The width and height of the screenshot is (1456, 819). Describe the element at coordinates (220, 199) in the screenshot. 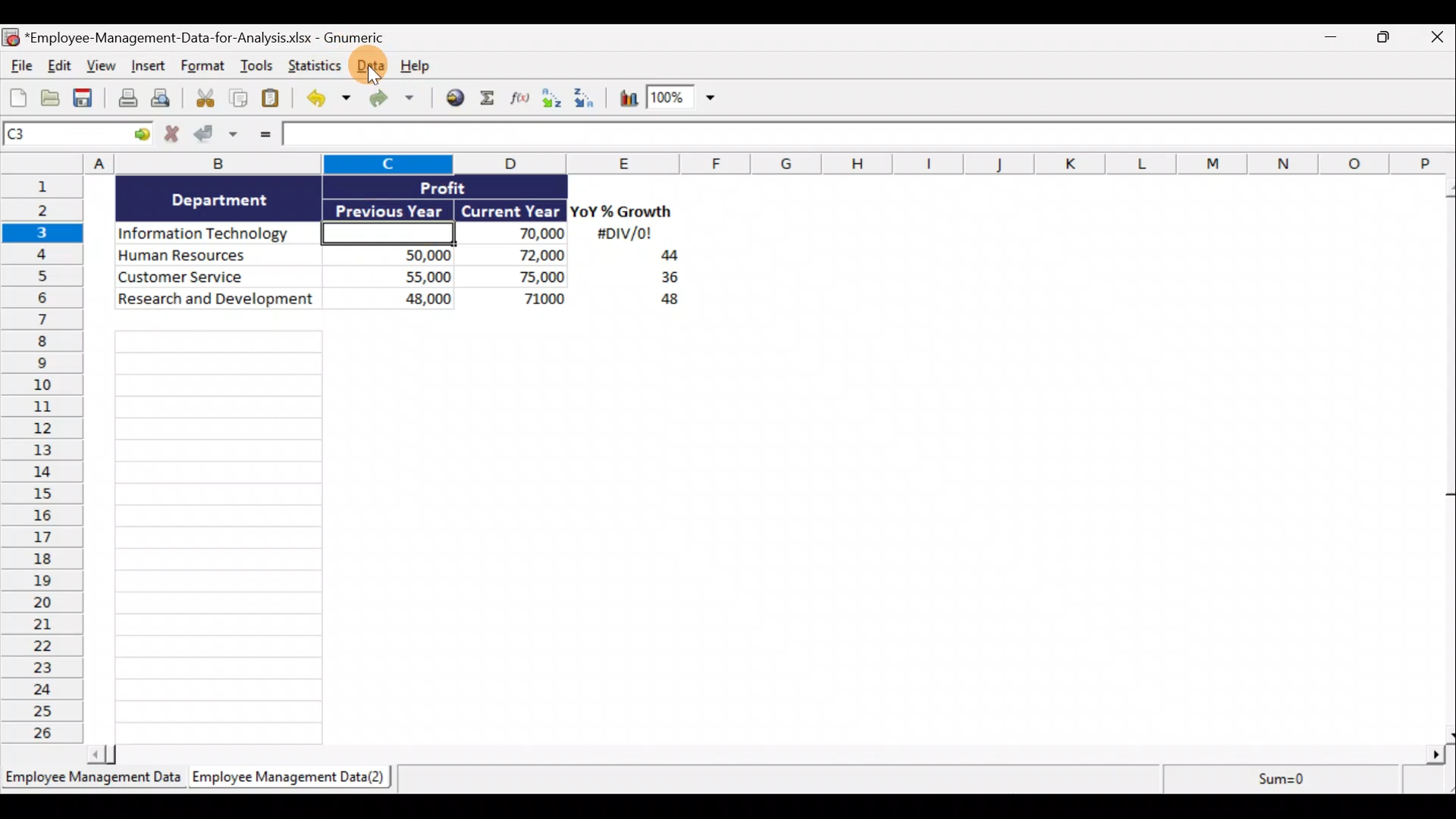

I see `Department` at that location.